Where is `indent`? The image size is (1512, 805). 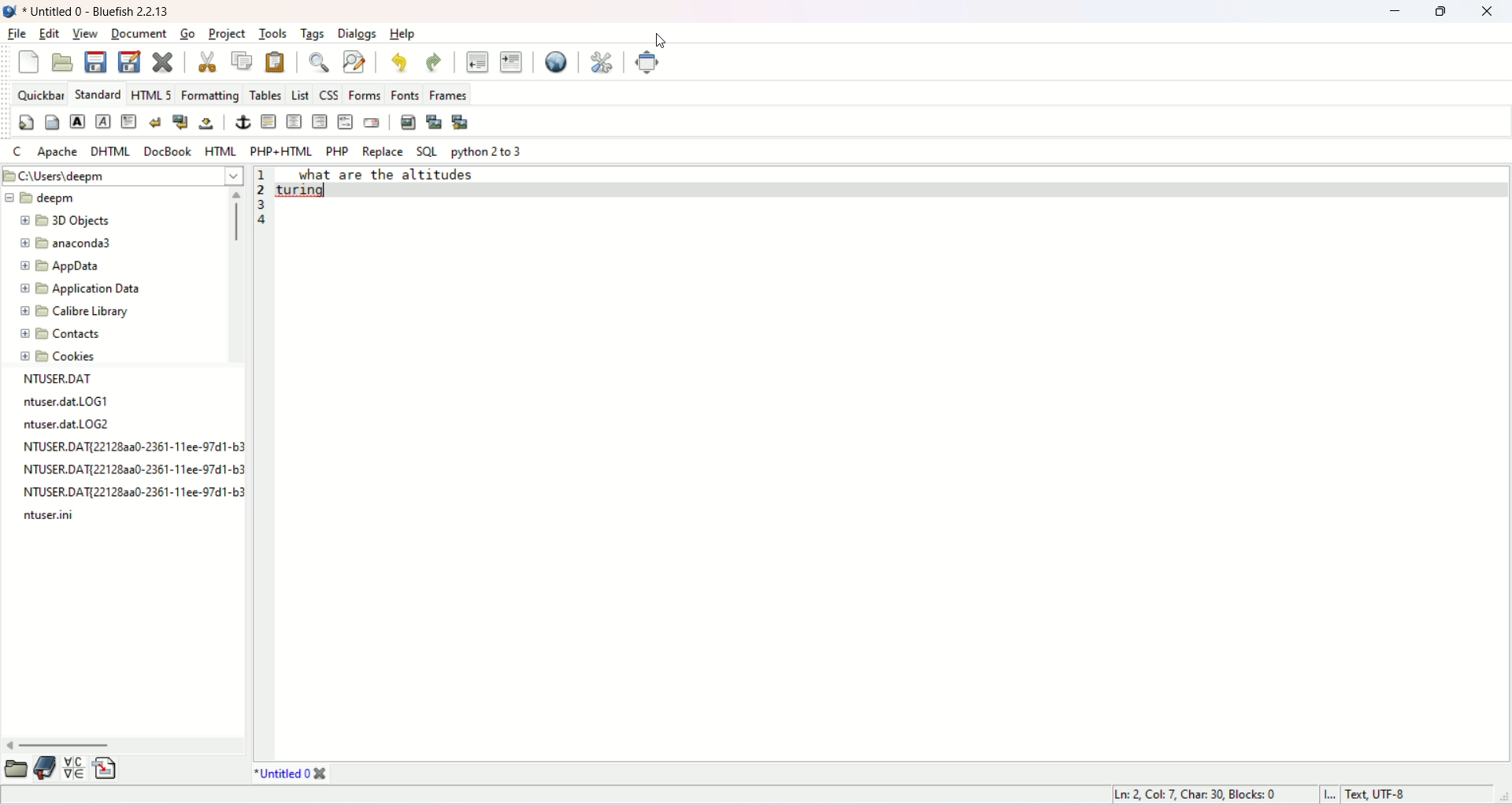 indent is located at coordinates (510, 61).